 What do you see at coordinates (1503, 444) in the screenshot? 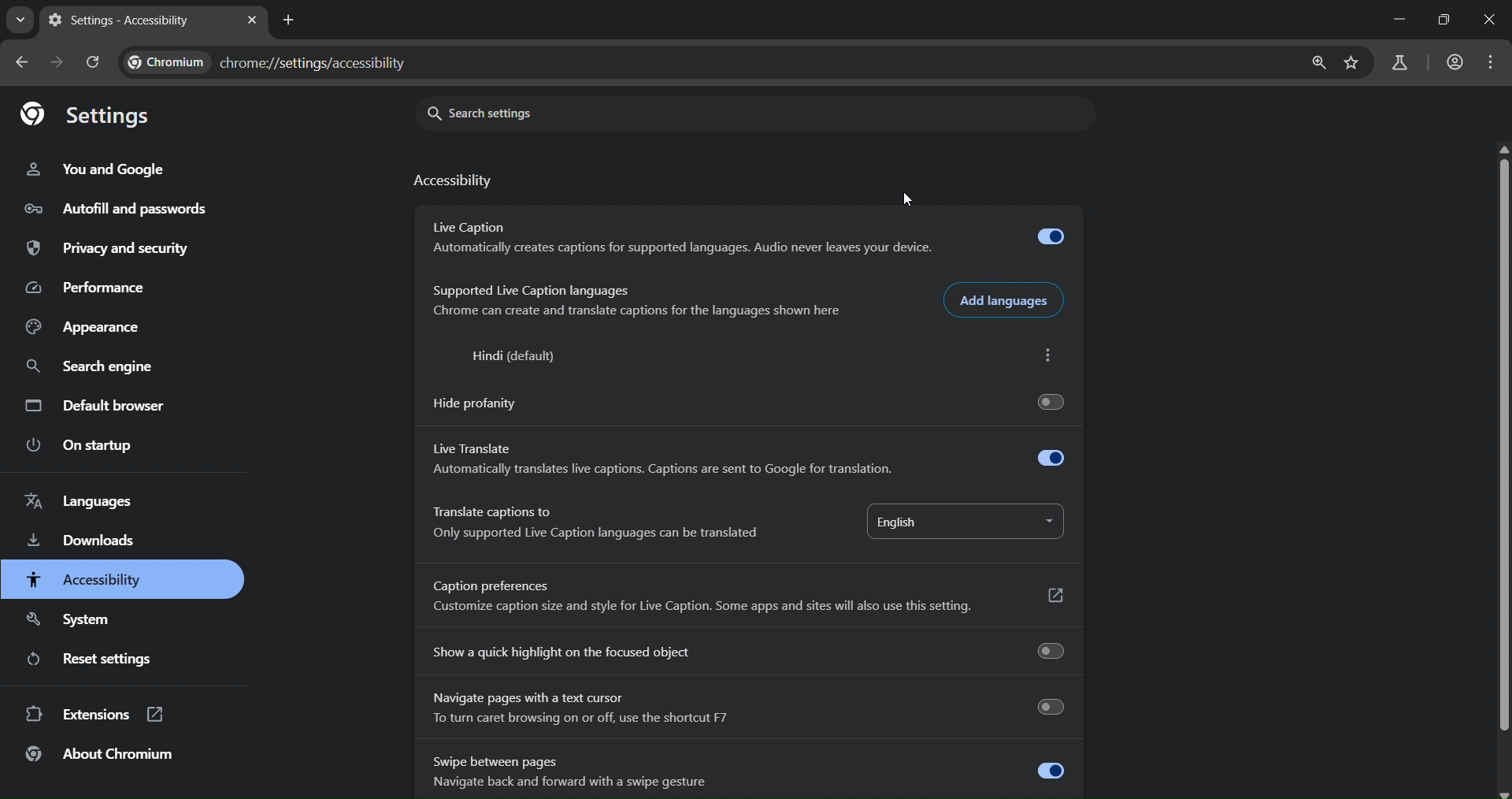
I see `scroll bar` at bounding box center [1503, 444].